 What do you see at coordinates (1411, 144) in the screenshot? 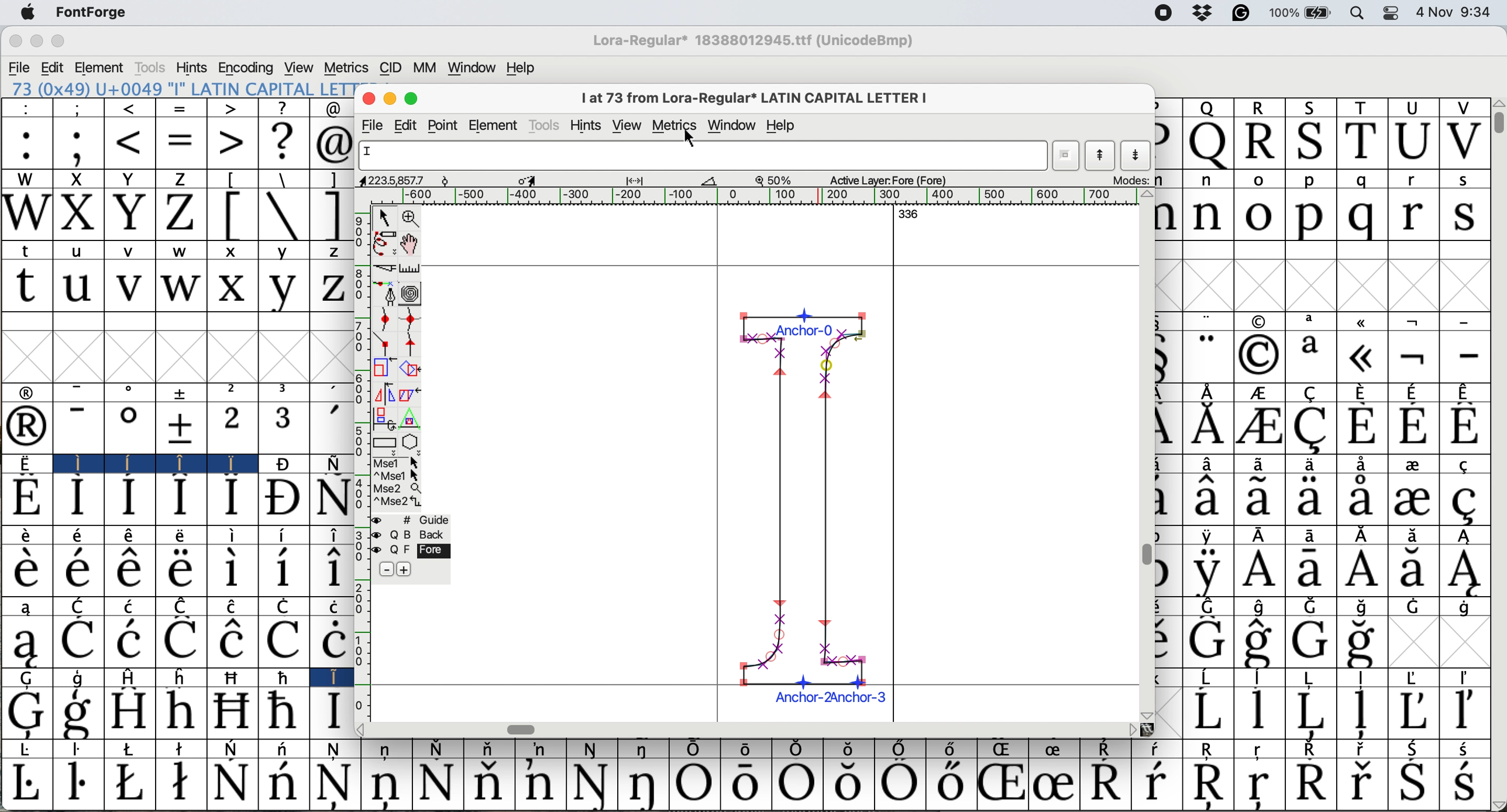
I see `U` at bounding box center [1411, 144].